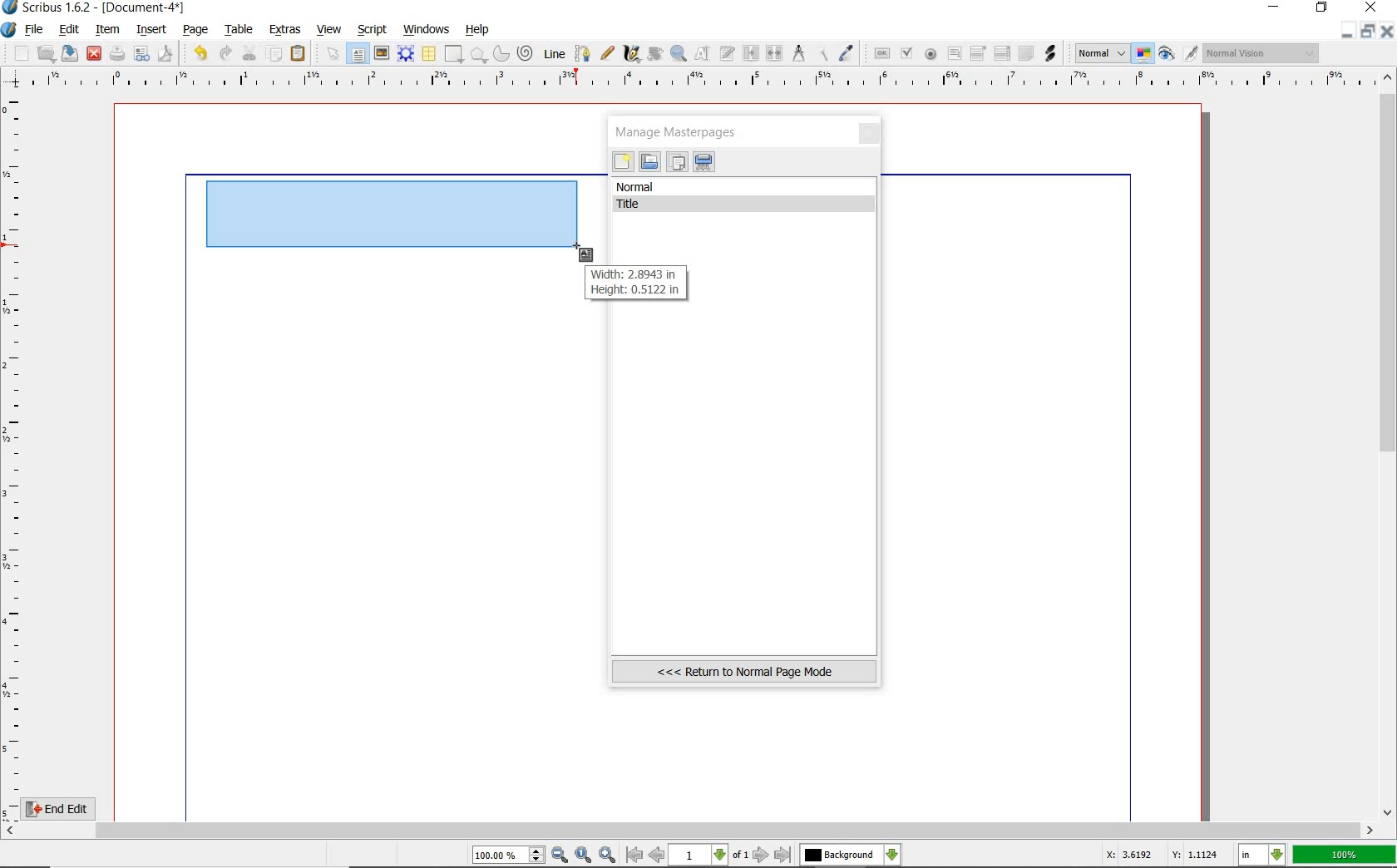  Describe the element at coordinates (747, 205) in the screenshot. I see `Title` at that location.